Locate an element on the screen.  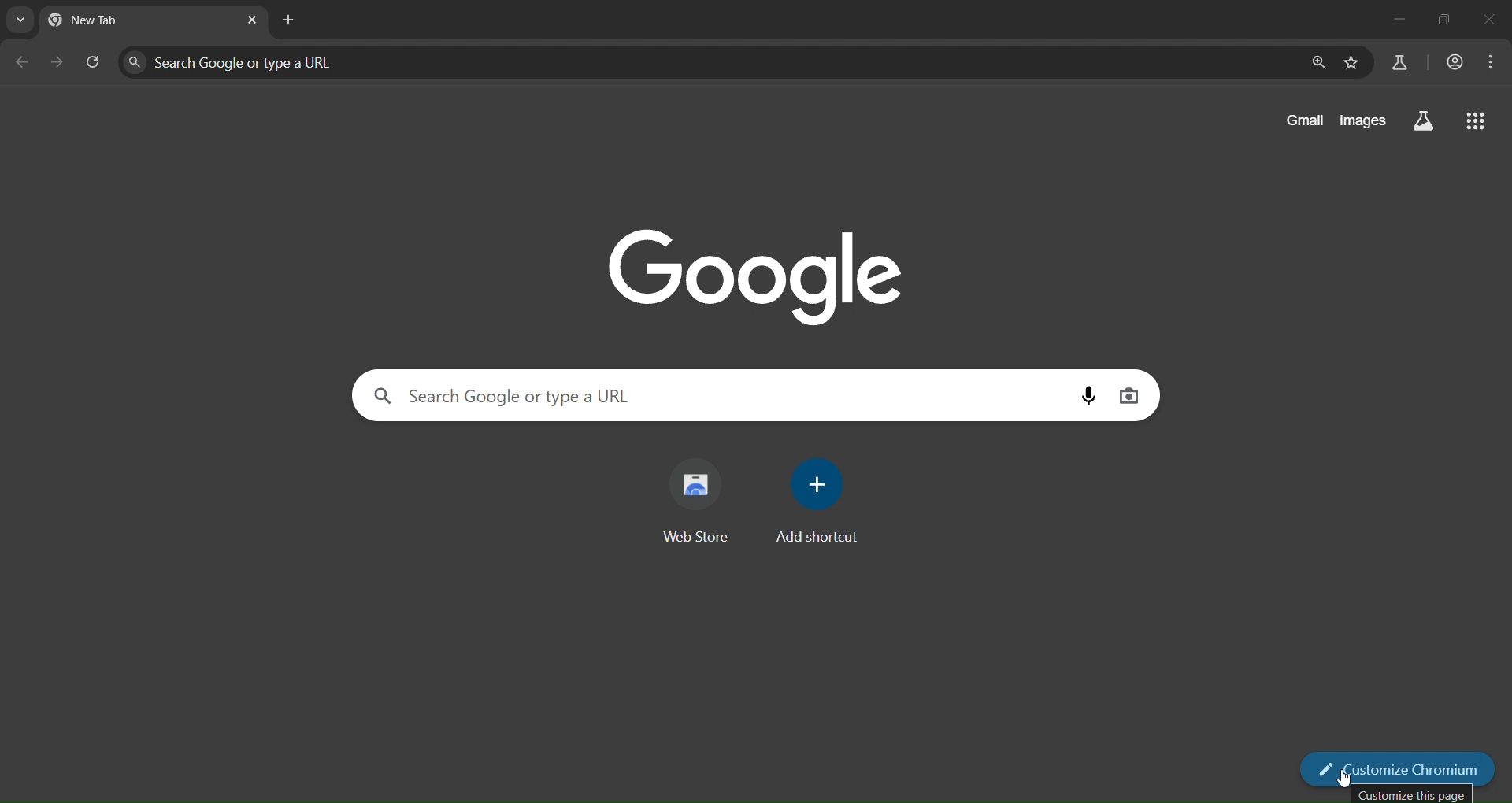
images is located at coordinates (1362, 118).